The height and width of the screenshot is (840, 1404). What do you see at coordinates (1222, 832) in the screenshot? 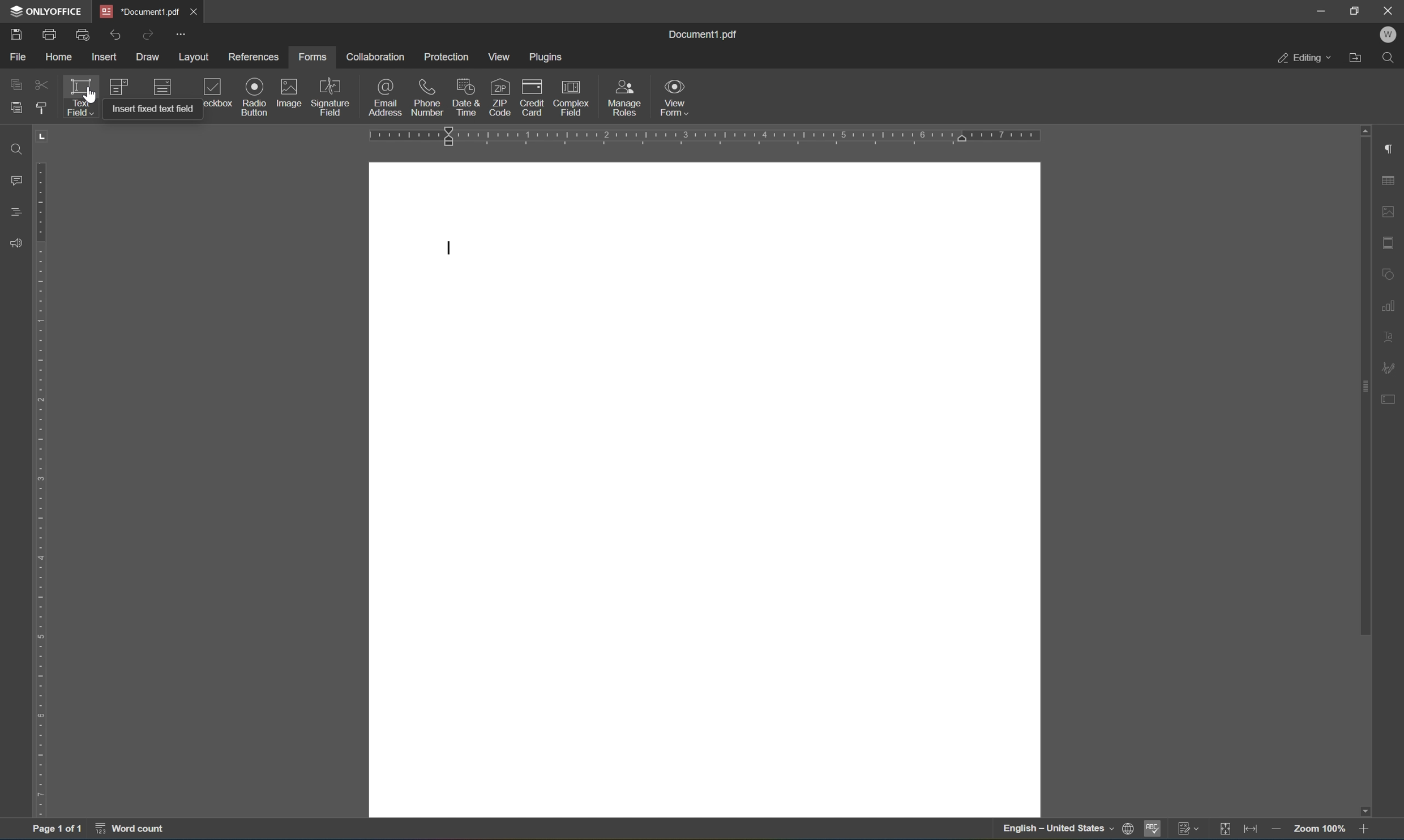
I see `fit to slide` at bounding box center [1222, 832].